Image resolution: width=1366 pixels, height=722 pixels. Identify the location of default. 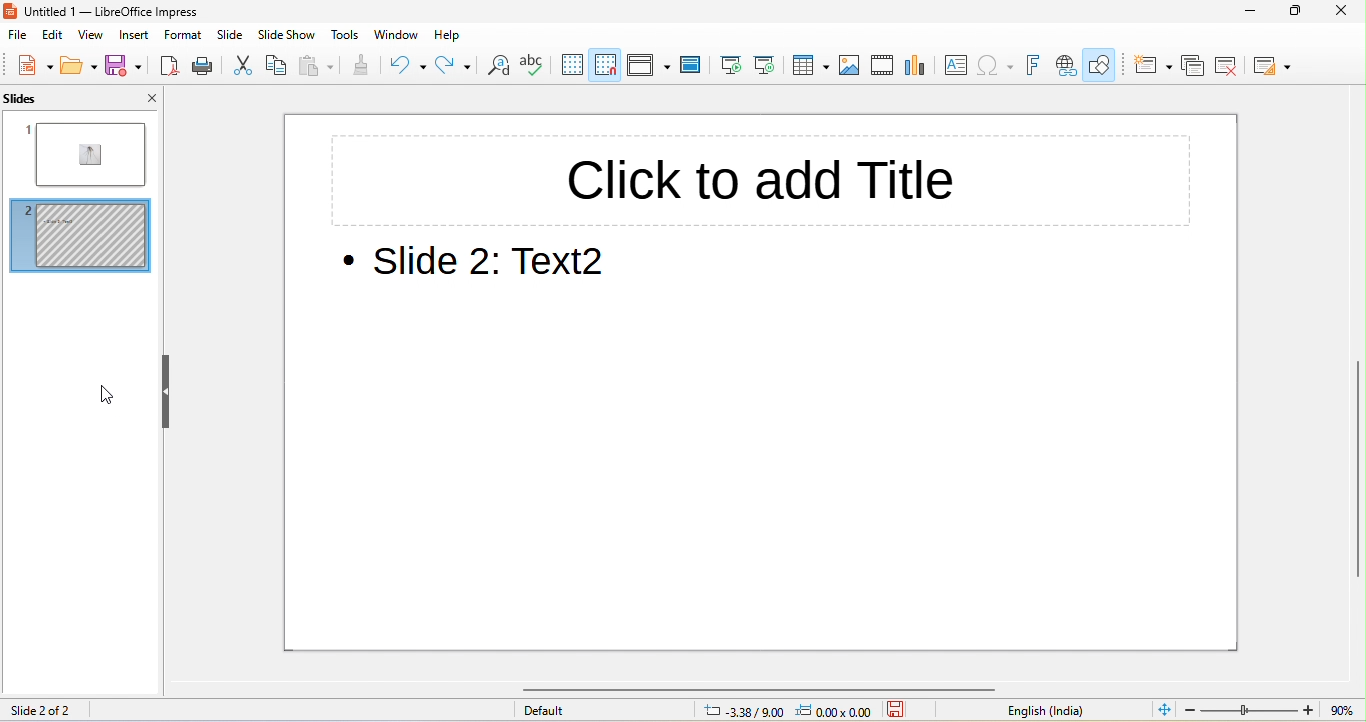
(599, 711).